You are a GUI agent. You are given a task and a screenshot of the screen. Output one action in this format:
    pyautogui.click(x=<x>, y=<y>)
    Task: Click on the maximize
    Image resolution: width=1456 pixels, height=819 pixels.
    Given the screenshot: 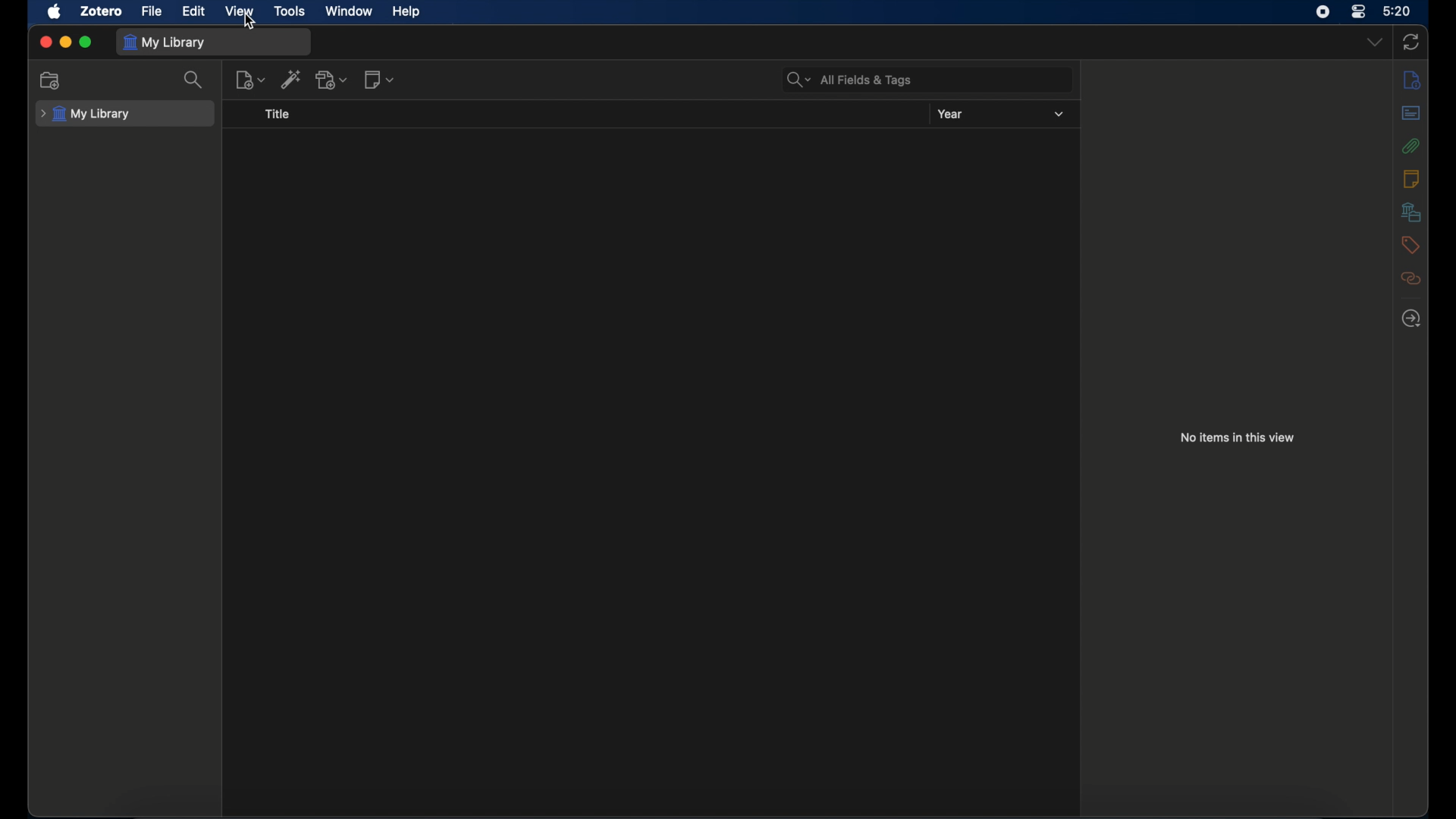 What is the action you would take?
    pyautogui.click(x=86, y=43)
    